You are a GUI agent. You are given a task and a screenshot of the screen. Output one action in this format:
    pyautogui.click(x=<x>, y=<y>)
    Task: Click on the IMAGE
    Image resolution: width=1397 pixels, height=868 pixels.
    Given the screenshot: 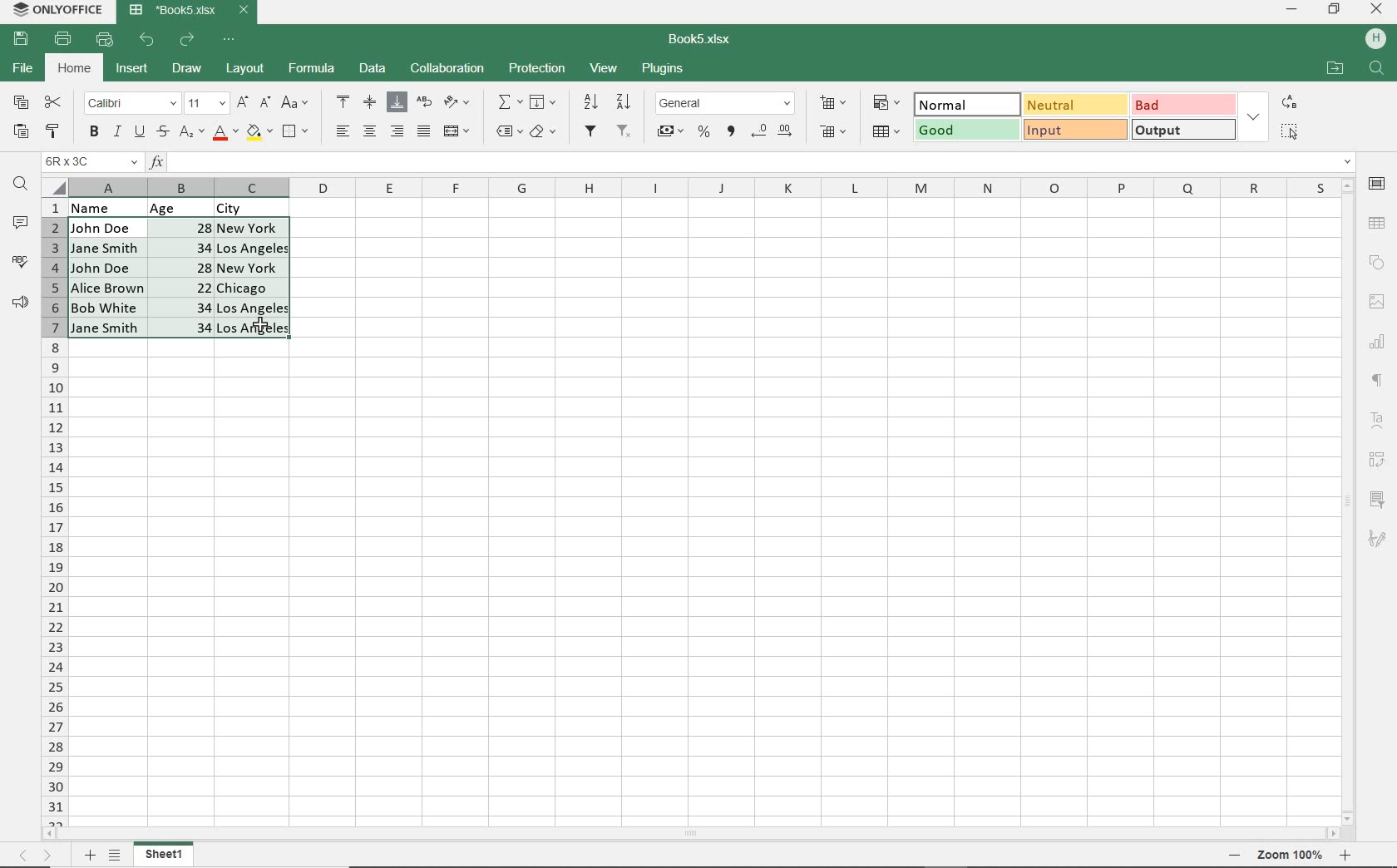 What is the action you would take?
    pyautogui.click(x=1376, y=302)
    